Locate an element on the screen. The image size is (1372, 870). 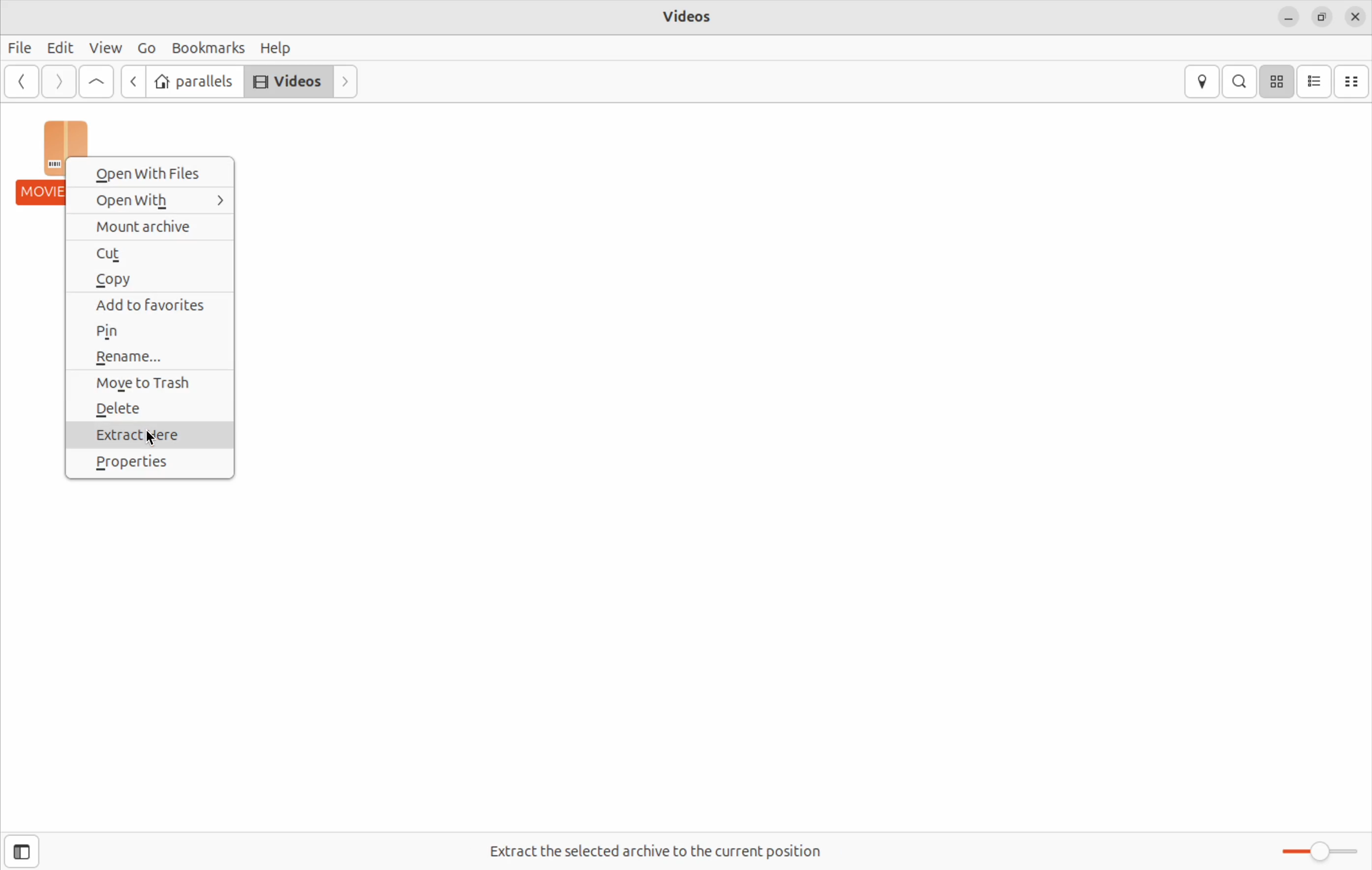
delete is located at coordinates (149, 410).